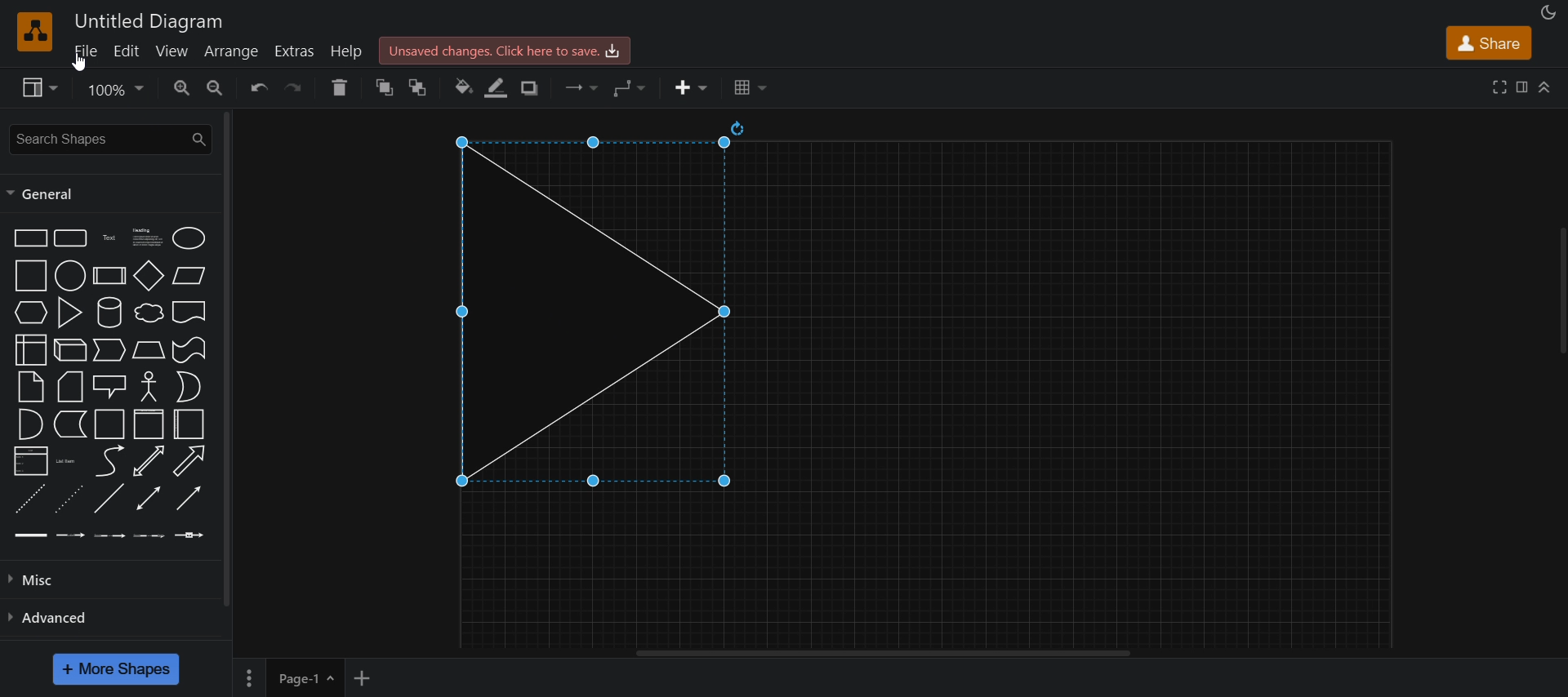 Image resolution: width=1568 pixels, height=697 pixels. I want to click on process, so click(110, 276).